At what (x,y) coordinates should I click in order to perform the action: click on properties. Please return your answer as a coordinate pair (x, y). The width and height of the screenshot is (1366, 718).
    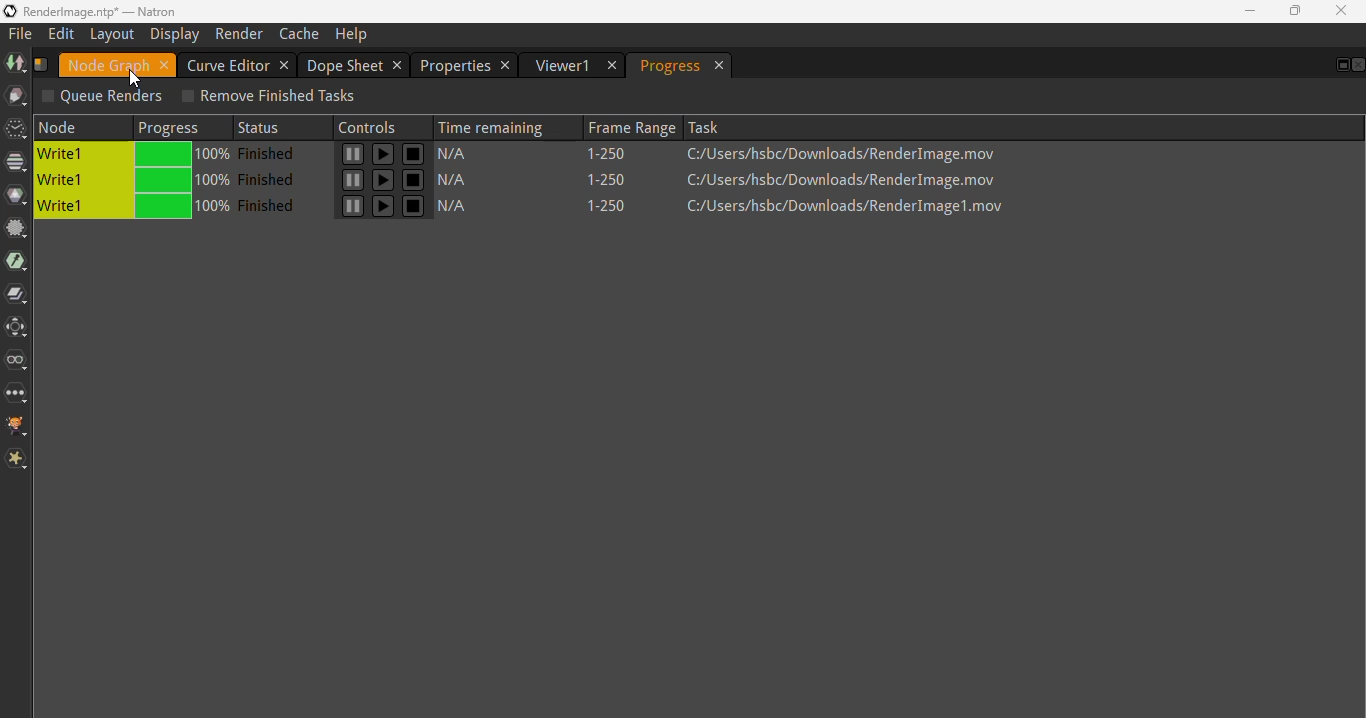
    Looking at the image, I should click on (454, 65).